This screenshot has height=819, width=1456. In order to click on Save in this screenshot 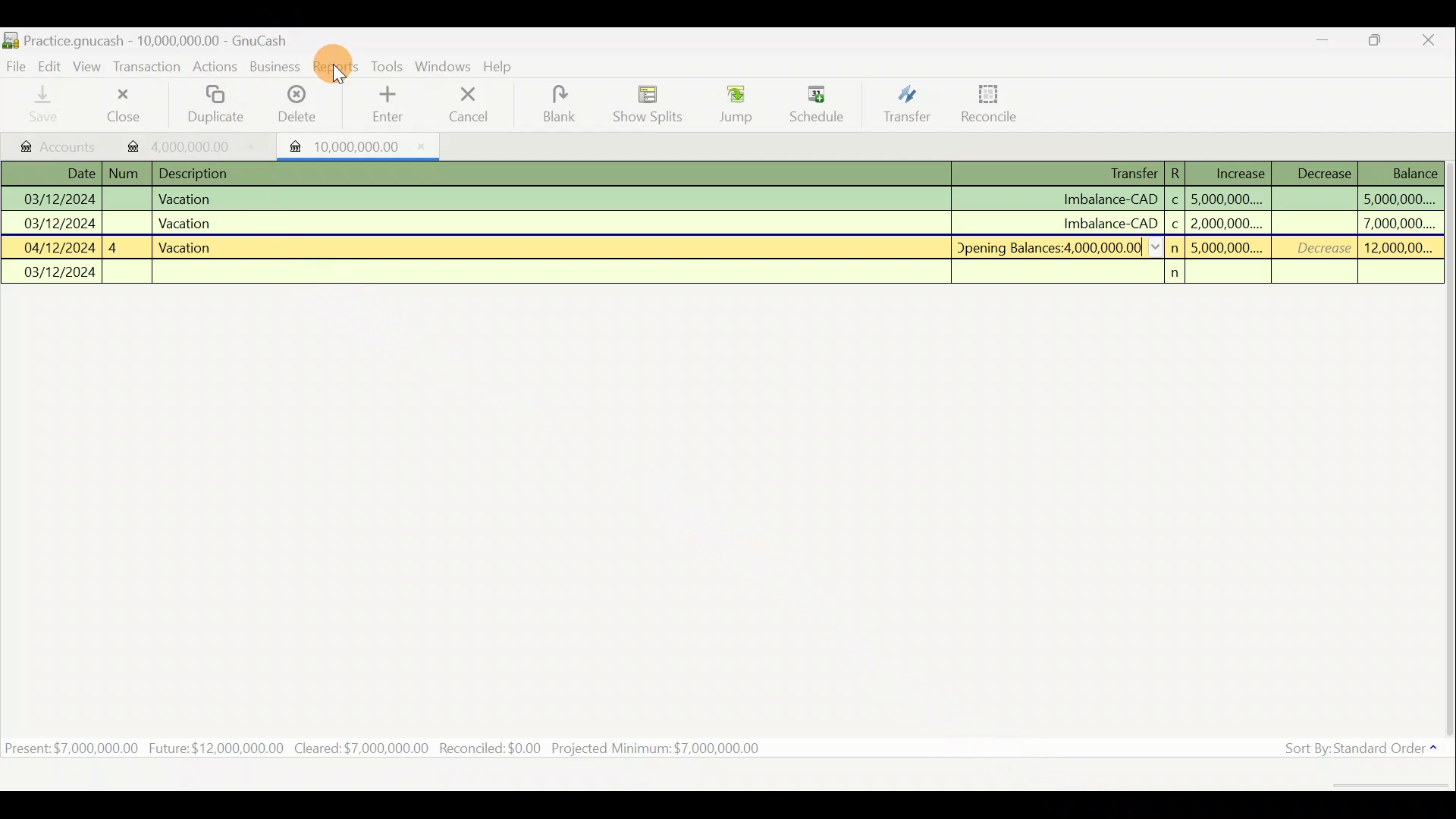, I will do `click(44, 107)`.